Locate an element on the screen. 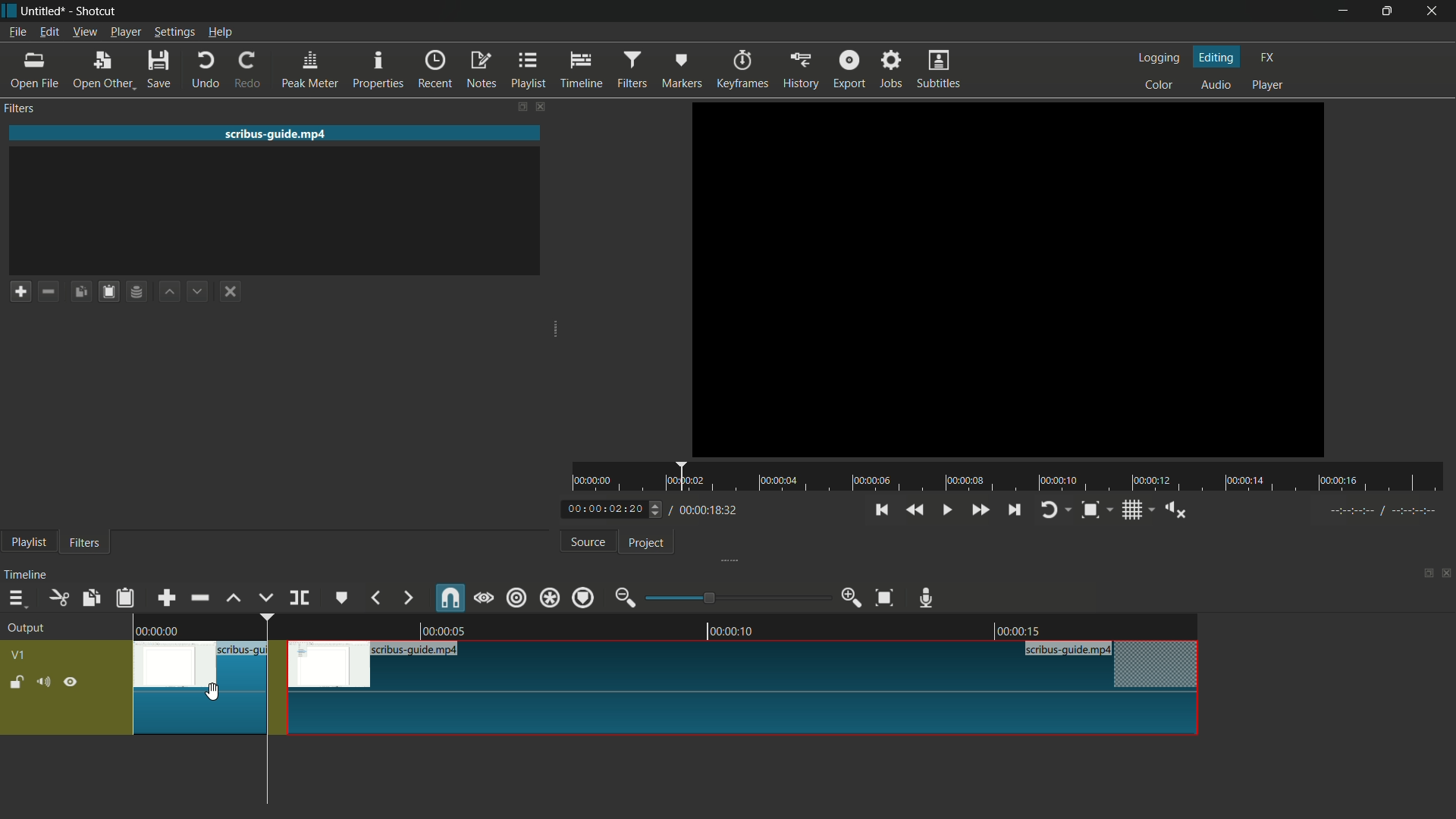 Image resolution: width=1456 pixels, height=819 pixels. player menu is located at coordinates (125, 32).